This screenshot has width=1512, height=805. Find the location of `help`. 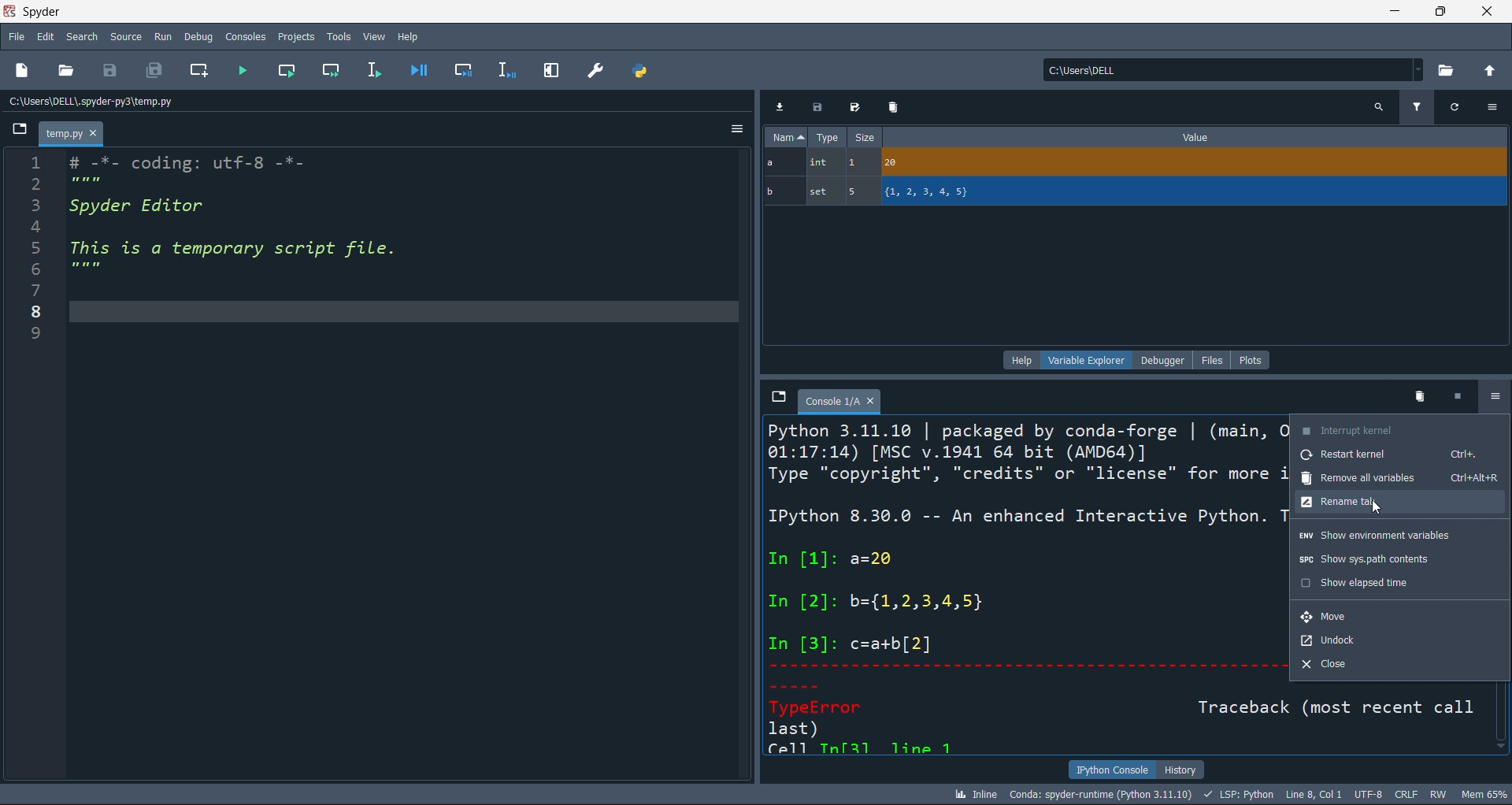

help is located at coordinates (409, 34).